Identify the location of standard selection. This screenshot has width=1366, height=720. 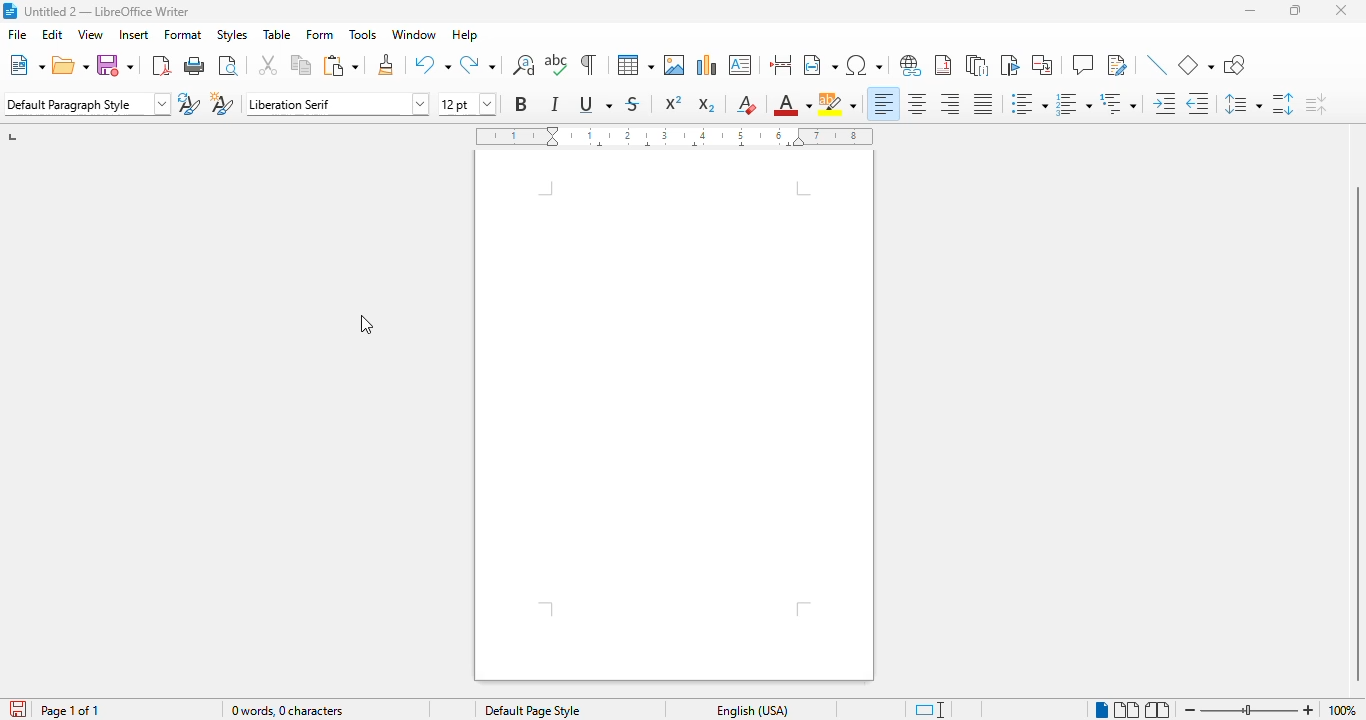
(930, 710).